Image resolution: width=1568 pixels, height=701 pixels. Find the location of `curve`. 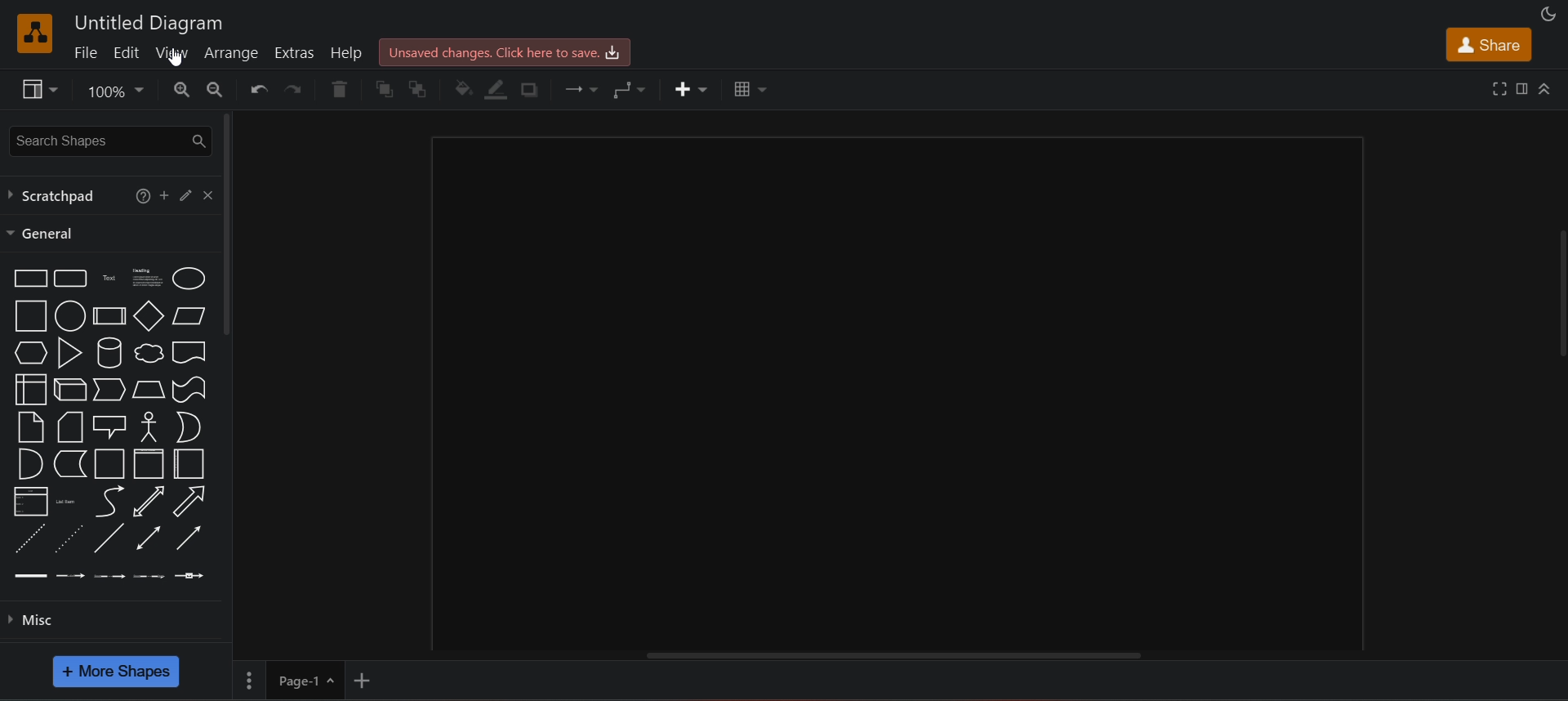

curve is located at coordinates (109, 501).